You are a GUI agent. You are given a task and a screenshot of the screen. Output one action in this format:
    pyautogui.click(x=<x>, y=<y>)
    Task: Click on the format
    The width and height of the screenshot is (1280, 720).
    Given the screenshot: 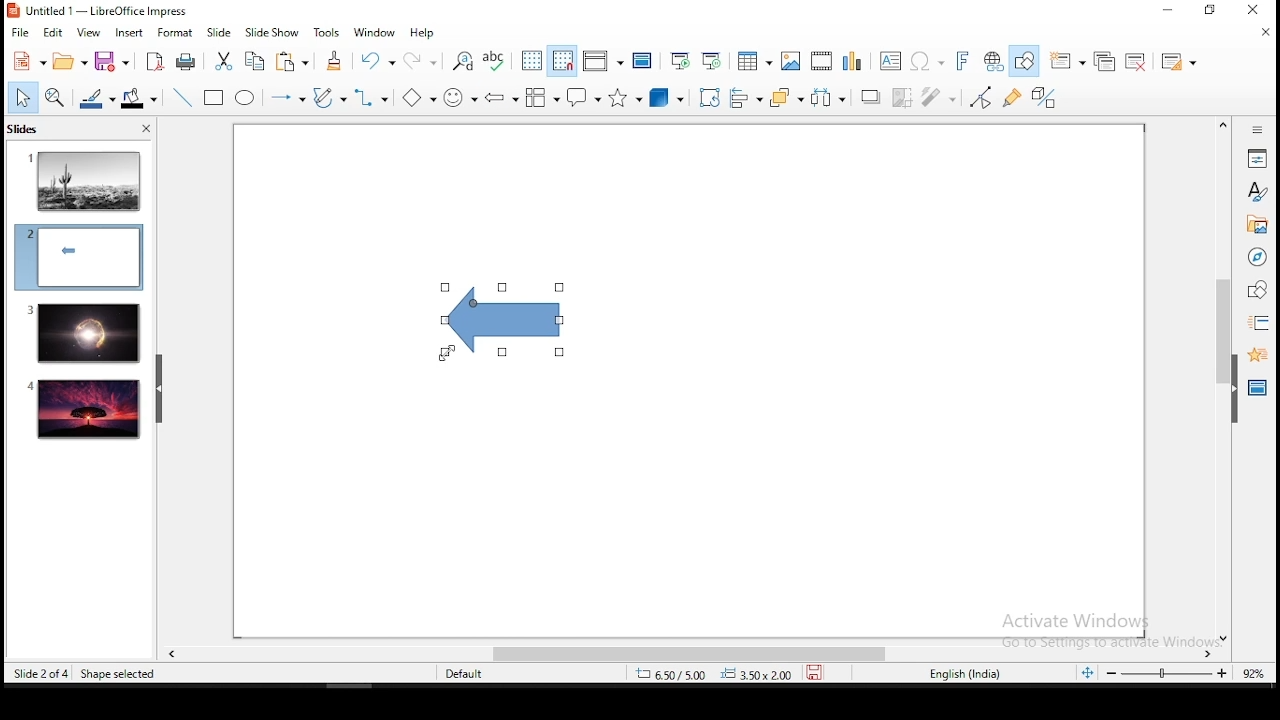 What is the action you would take?
    pyautogui.click(x=174, y=32)
    